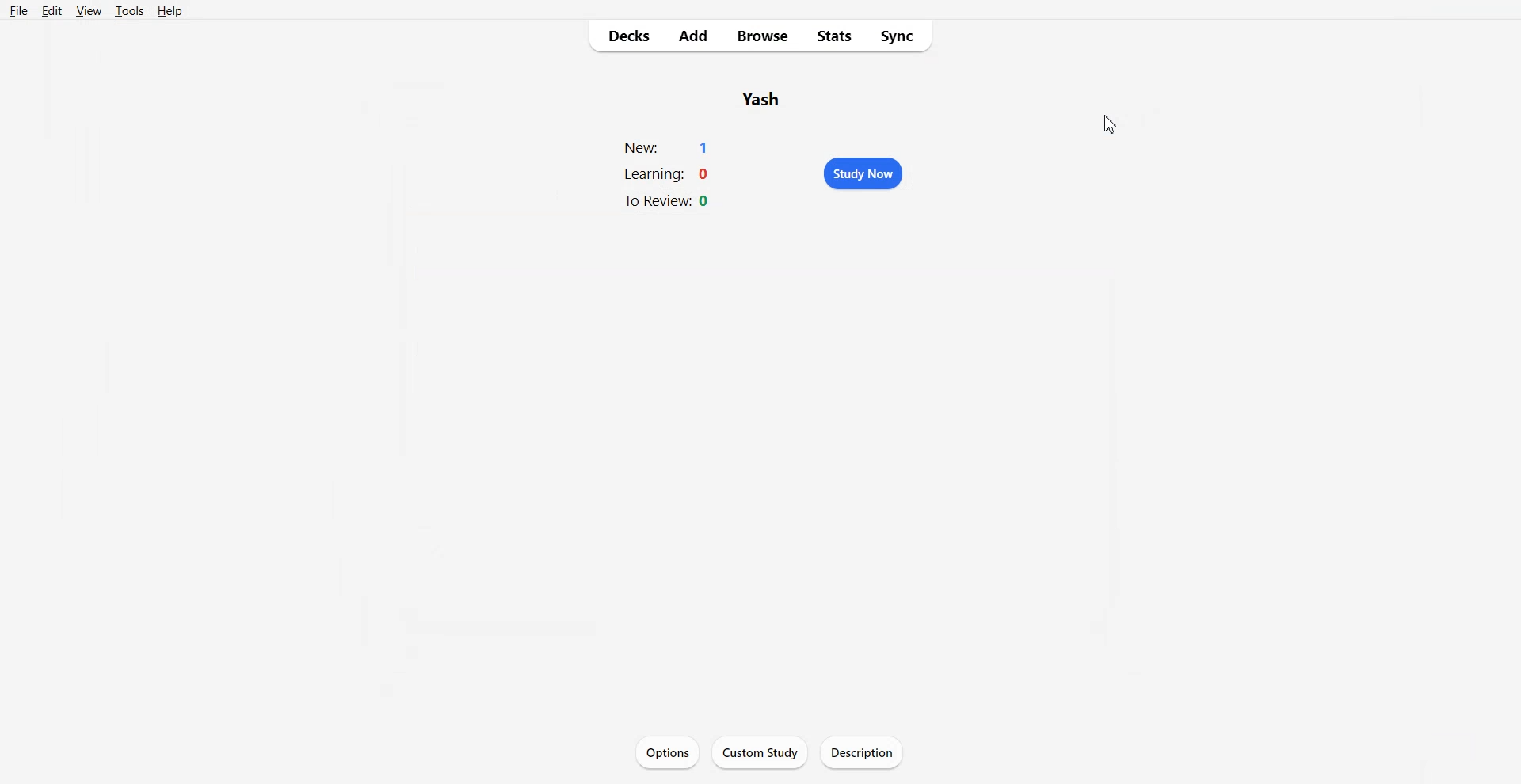 The height and width of the screenshot is (784, 1521). I want to click on New: 1, so click(669, 147).